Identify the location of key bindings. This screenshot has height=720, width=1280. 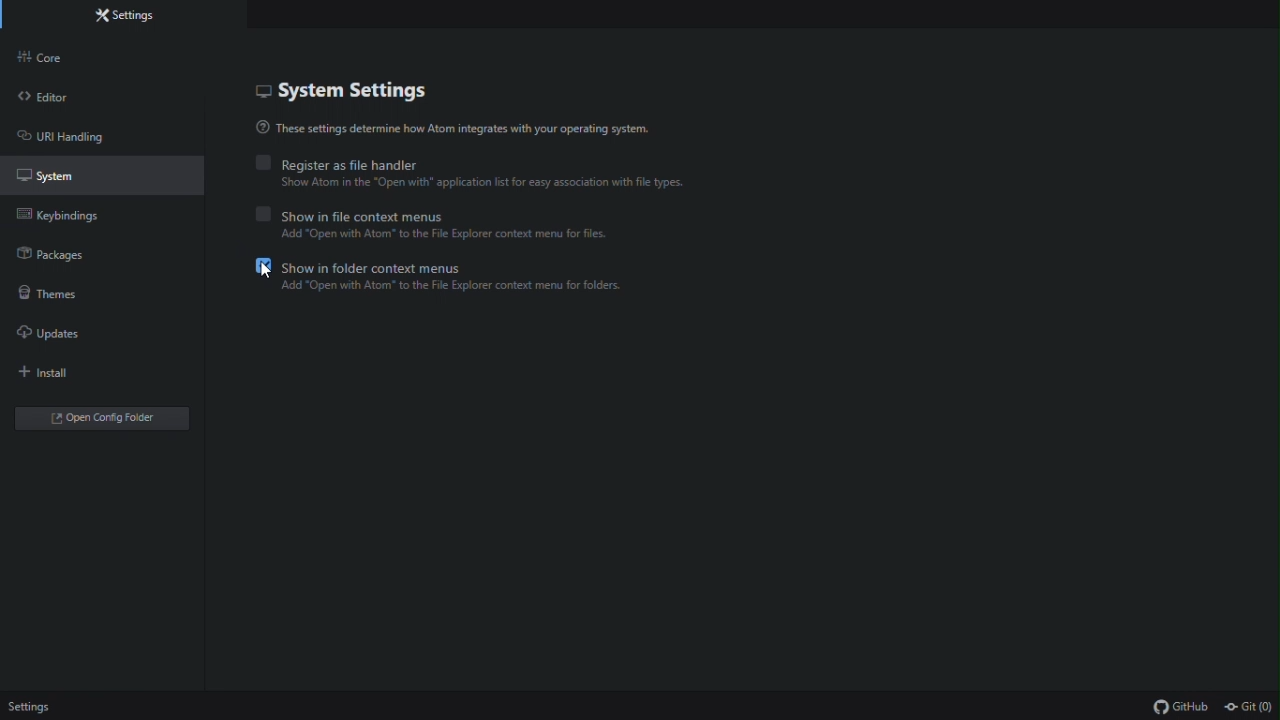
(101, 212).